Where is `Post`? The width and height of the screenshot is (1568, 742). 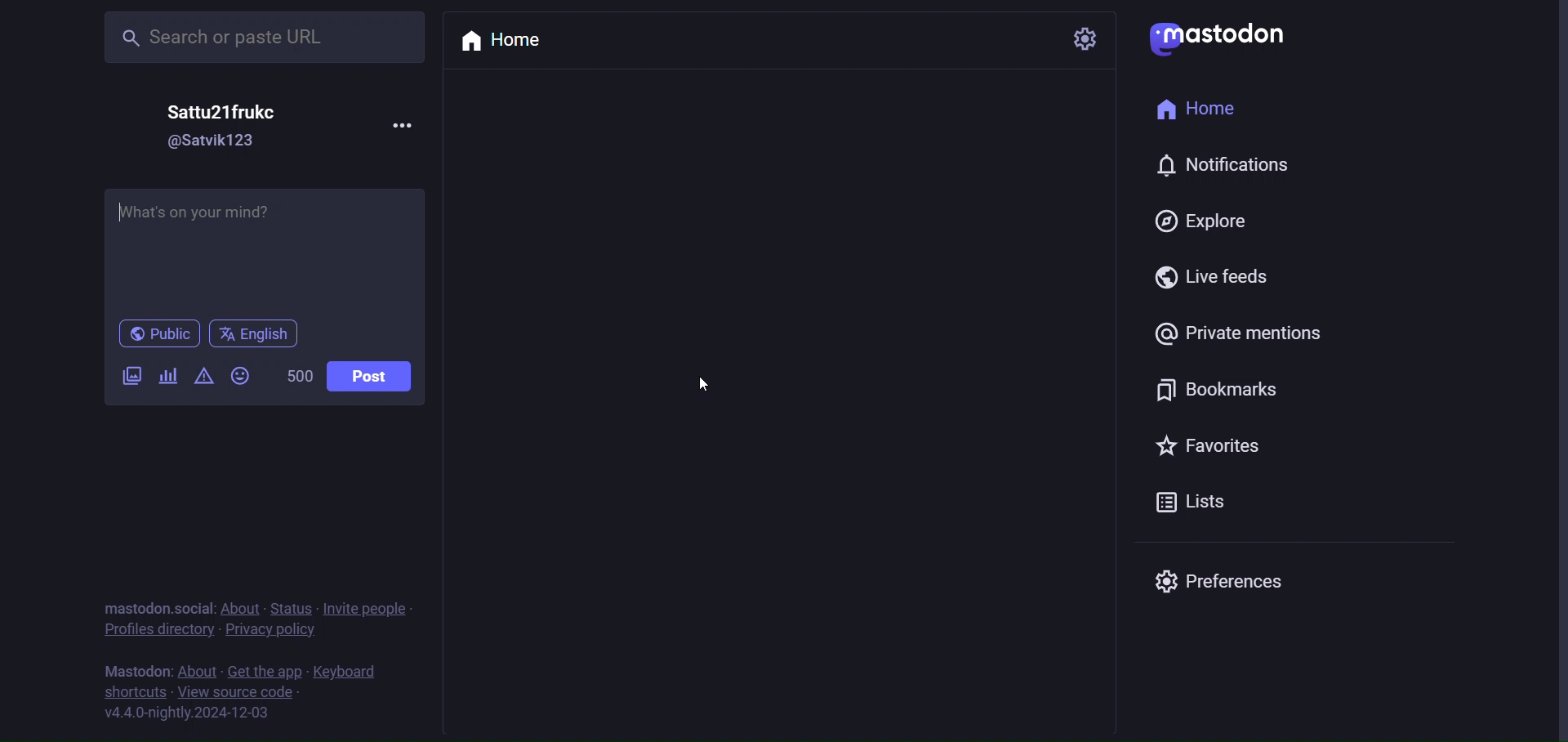 Post is located at coordinates (369, 376).